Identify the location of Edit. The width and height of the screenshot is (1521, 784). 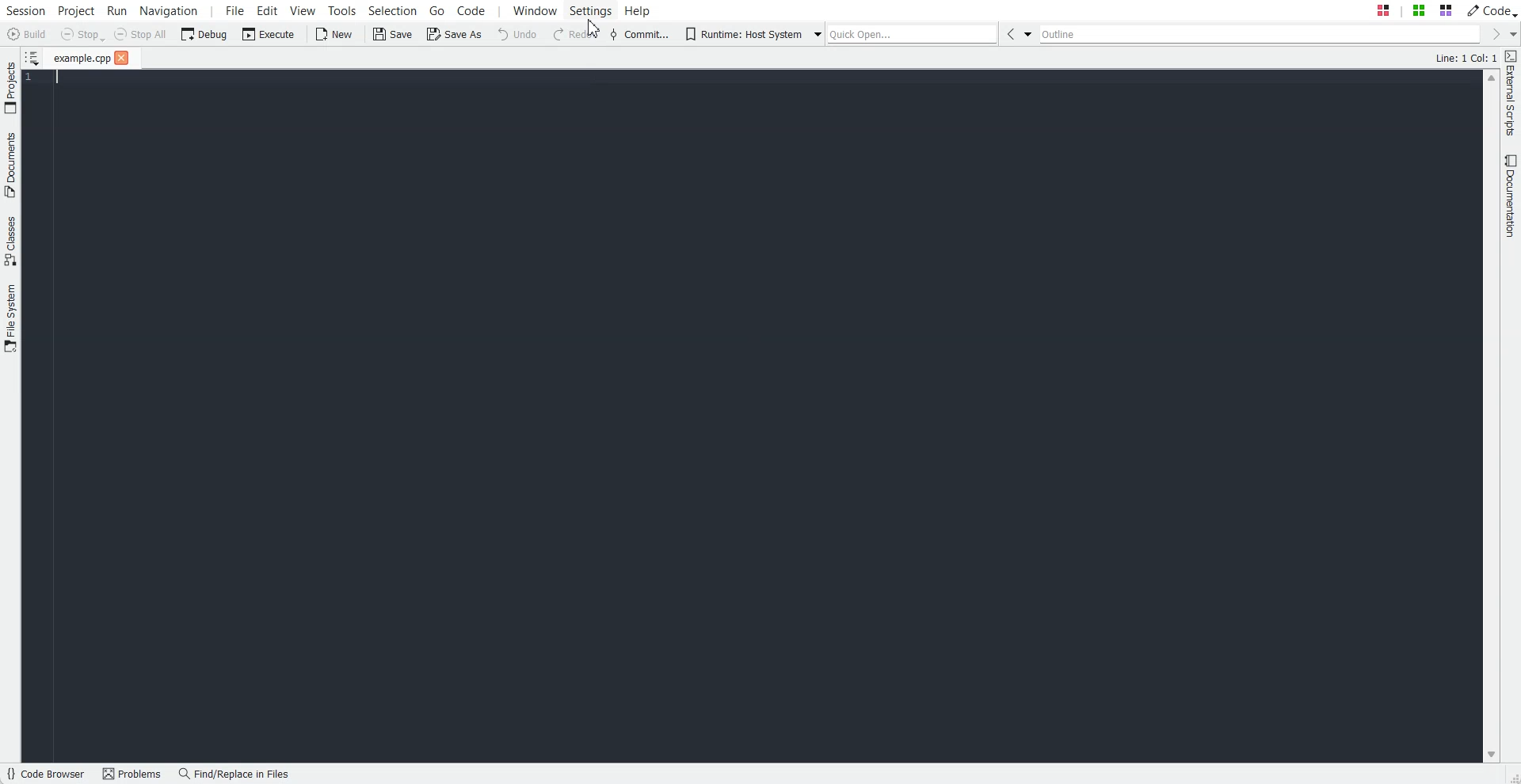
(267, 10).